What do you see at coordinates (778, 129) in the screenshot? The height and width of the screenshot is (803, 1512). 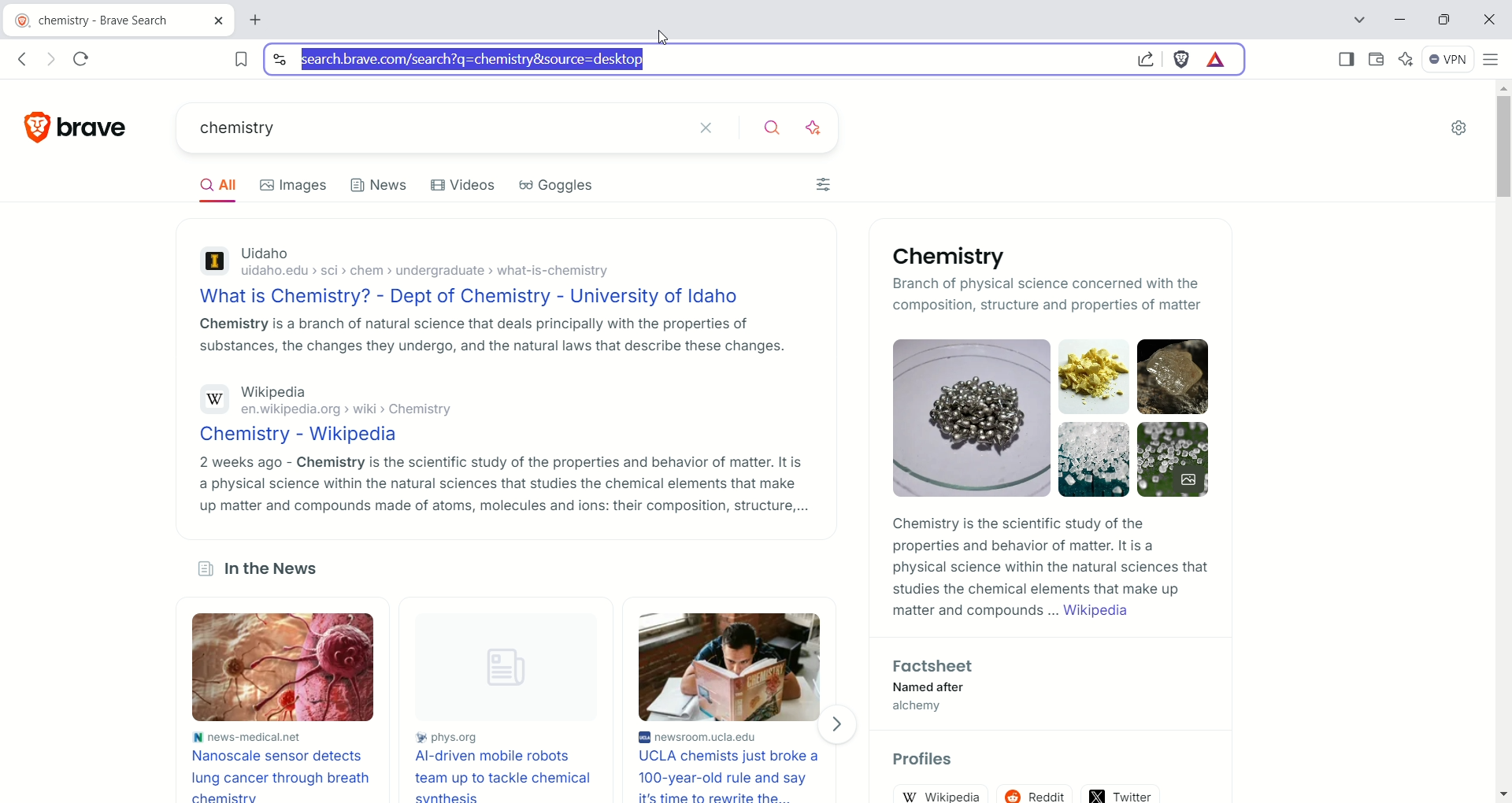 I see `search` at bounding box center [778, 129].